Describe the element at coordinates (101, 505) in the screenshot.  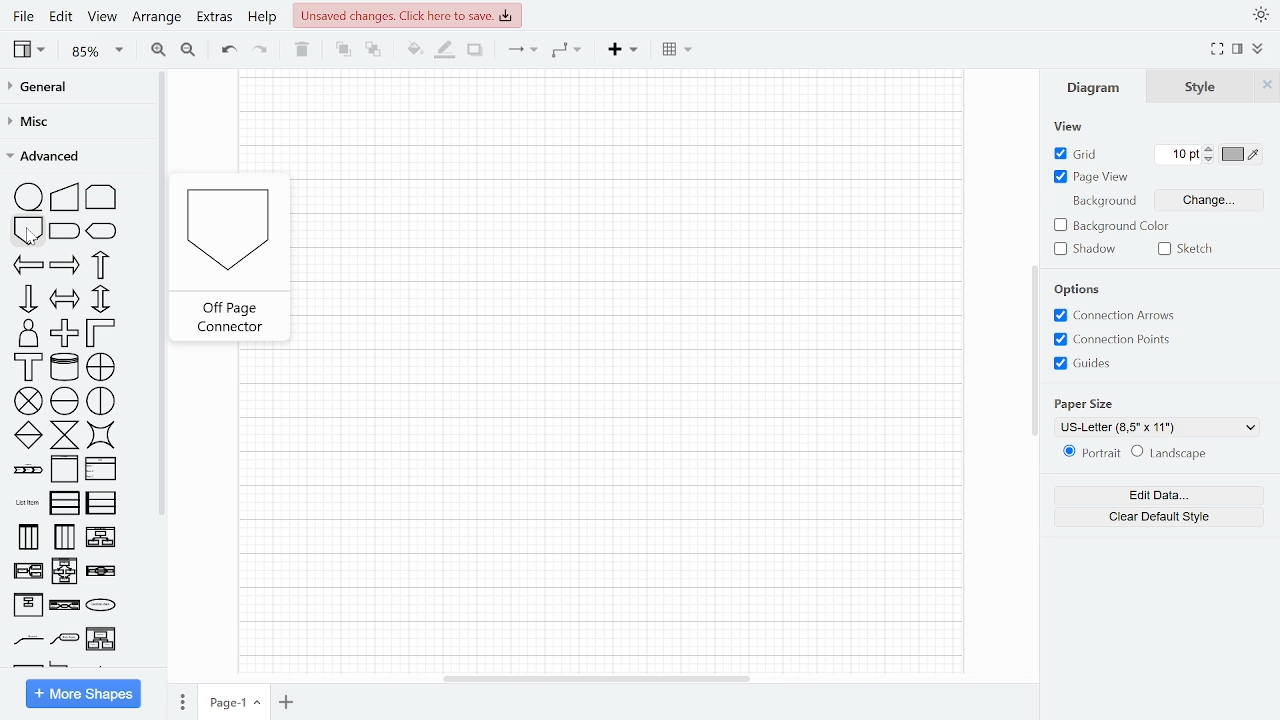
I see `horizontal pool 2` at that location.